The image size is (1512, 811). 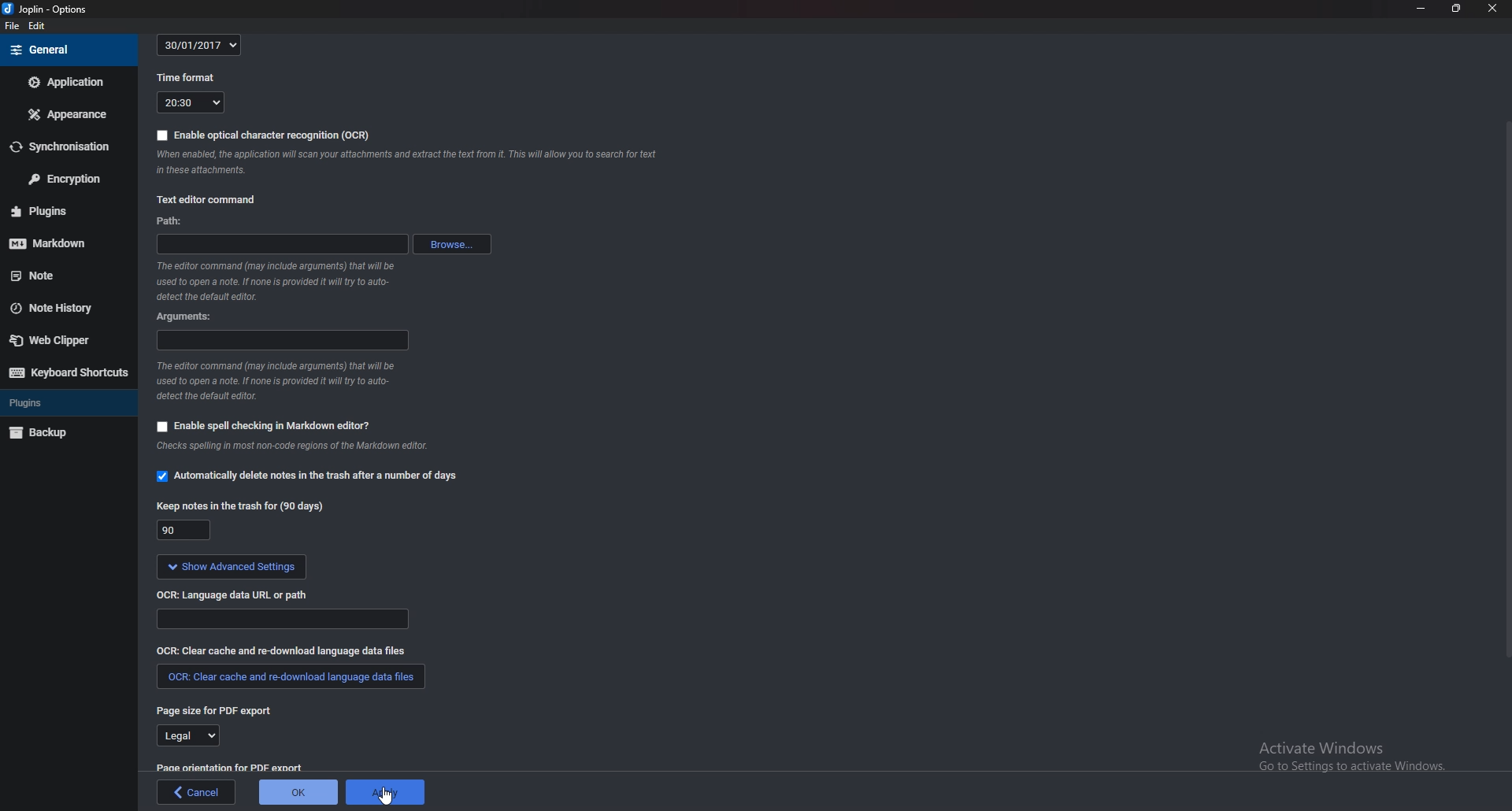 What do you see at coordinates (215, 710) in the screenshot?
I see `page size for P D F export` at bounding box center [215, 710].